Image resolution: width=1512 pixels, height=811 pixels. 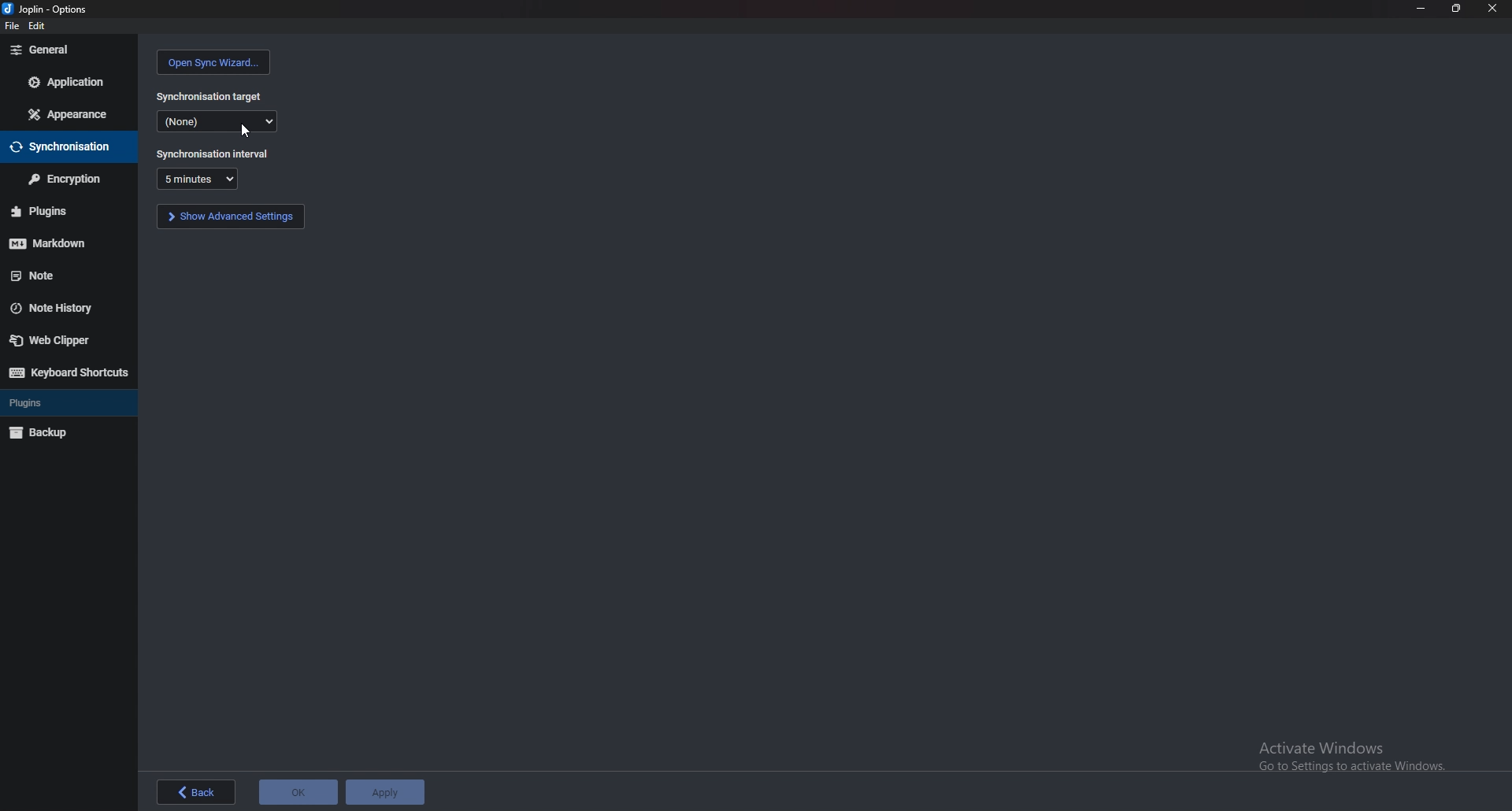 What do you see at coordinates (69, 179) in the screenshot?
I see `encryption` at bounding box center [69, 179].